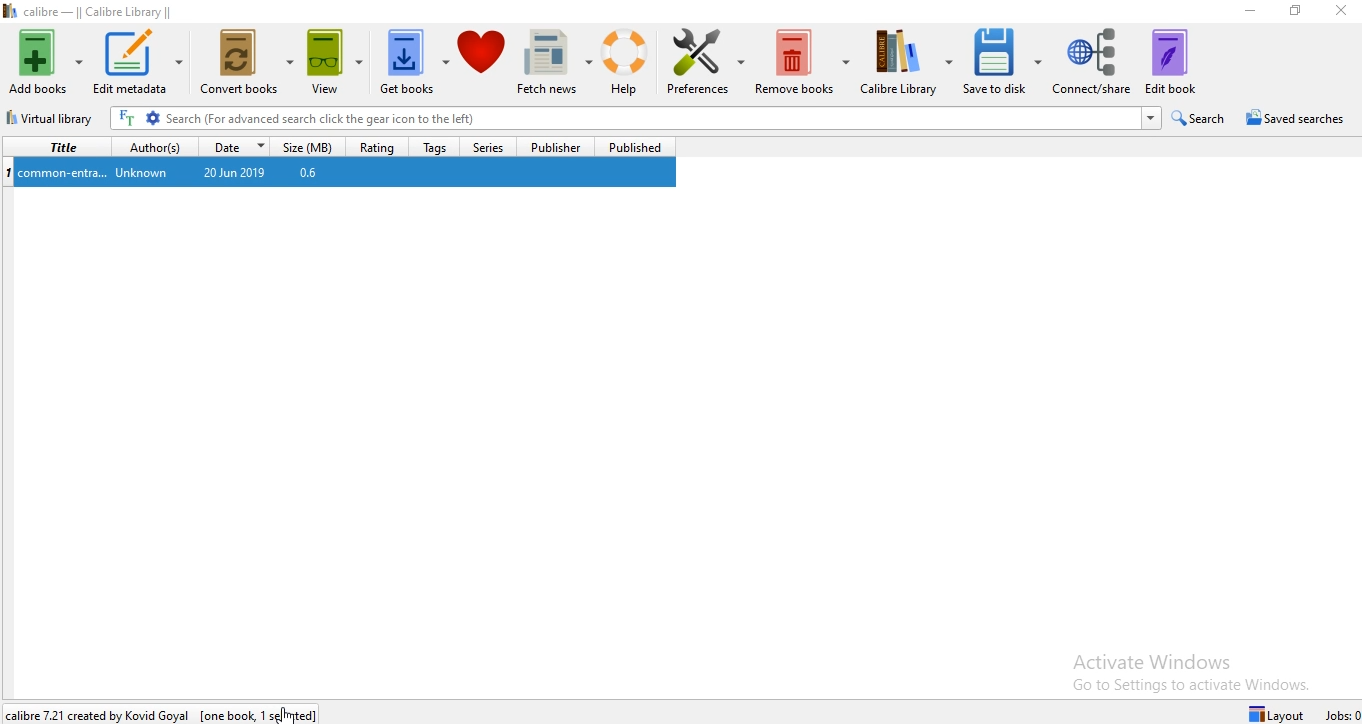  What do you see at coordinates (9, 170) in the screenshot?
I see `Index No.` at bounding box center [9, 170].